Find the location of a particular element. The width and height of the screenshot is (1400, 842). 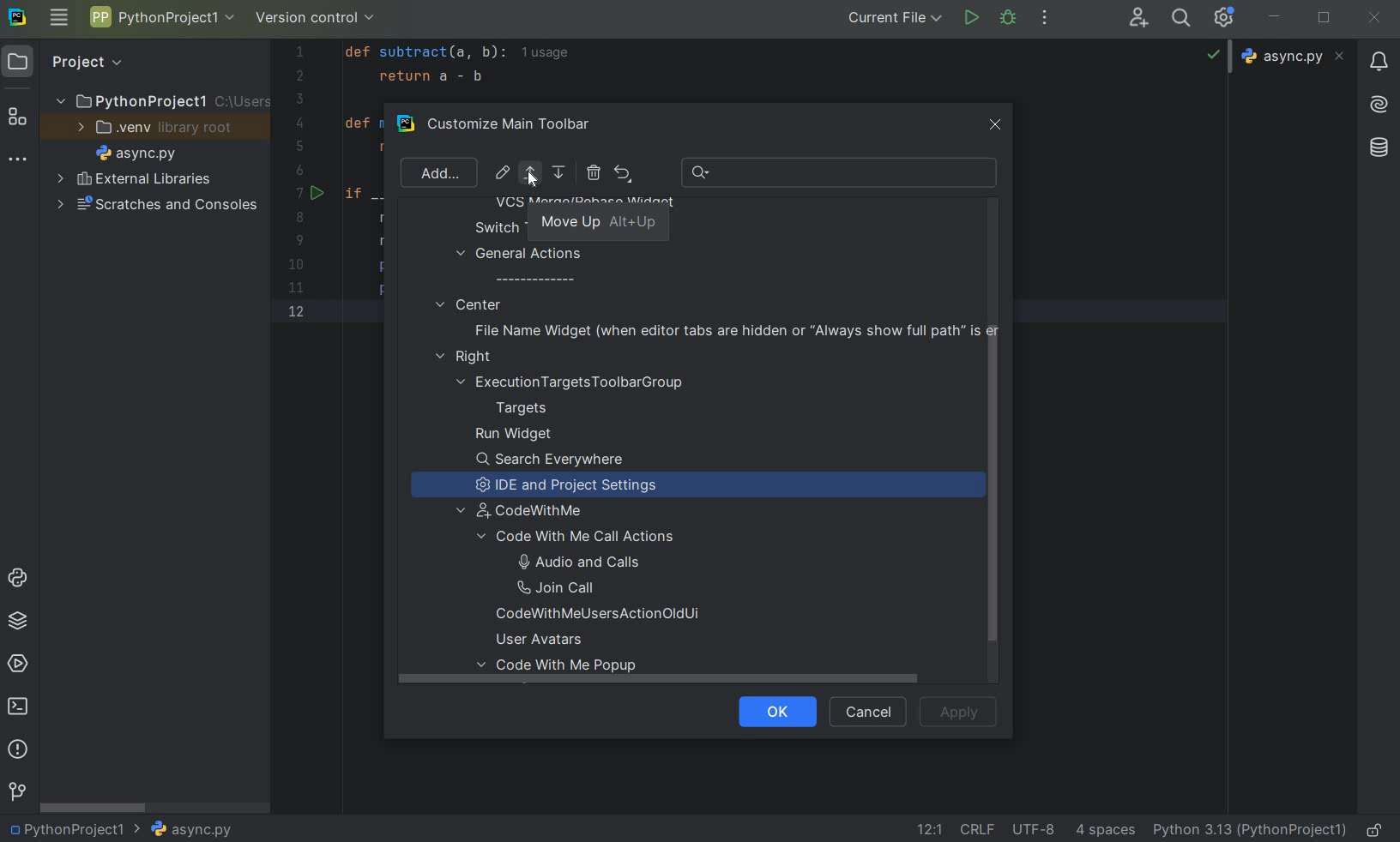

user avatars is located at coordinates (546, 640).